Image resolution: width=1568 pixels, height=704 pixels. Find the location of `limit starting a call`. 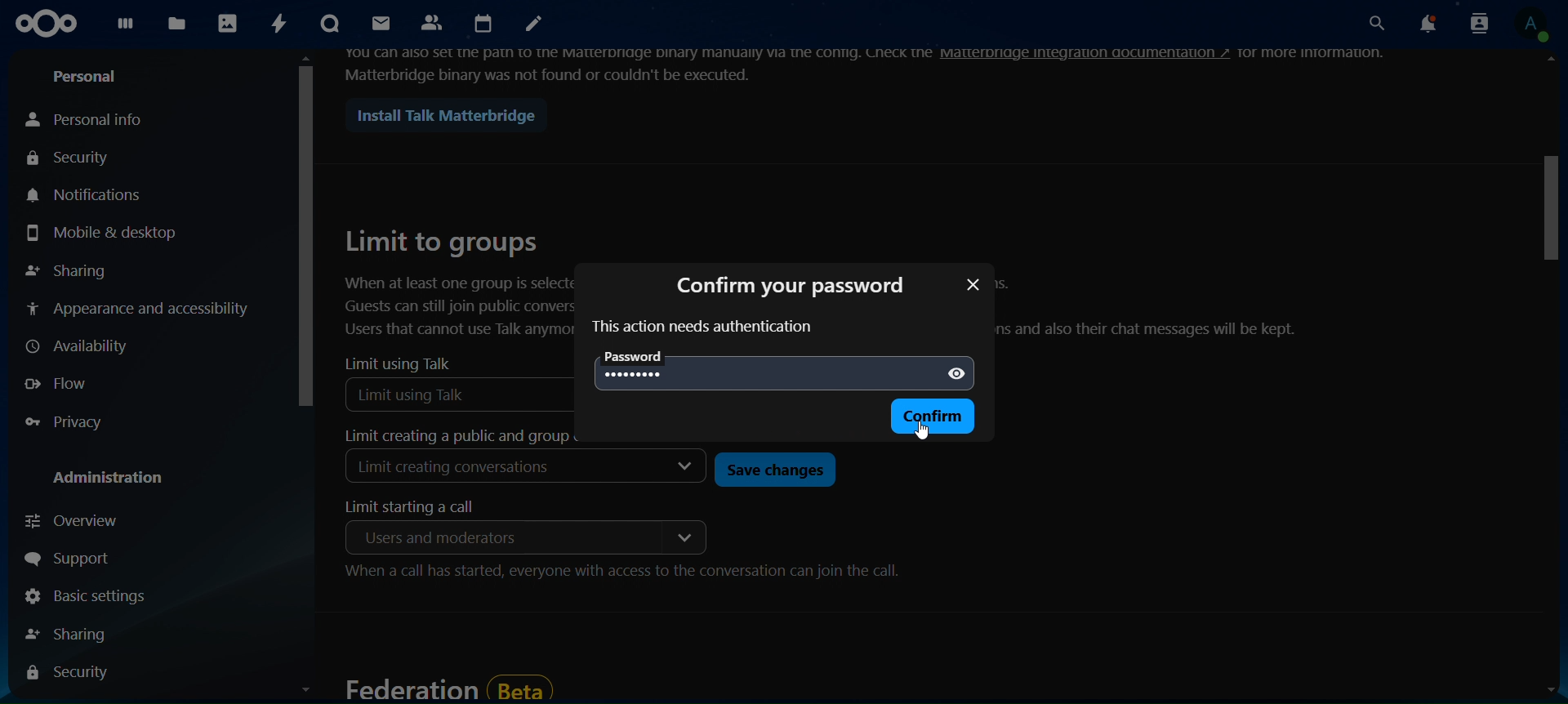

limit starting a call is located at coordinates (421, 507).